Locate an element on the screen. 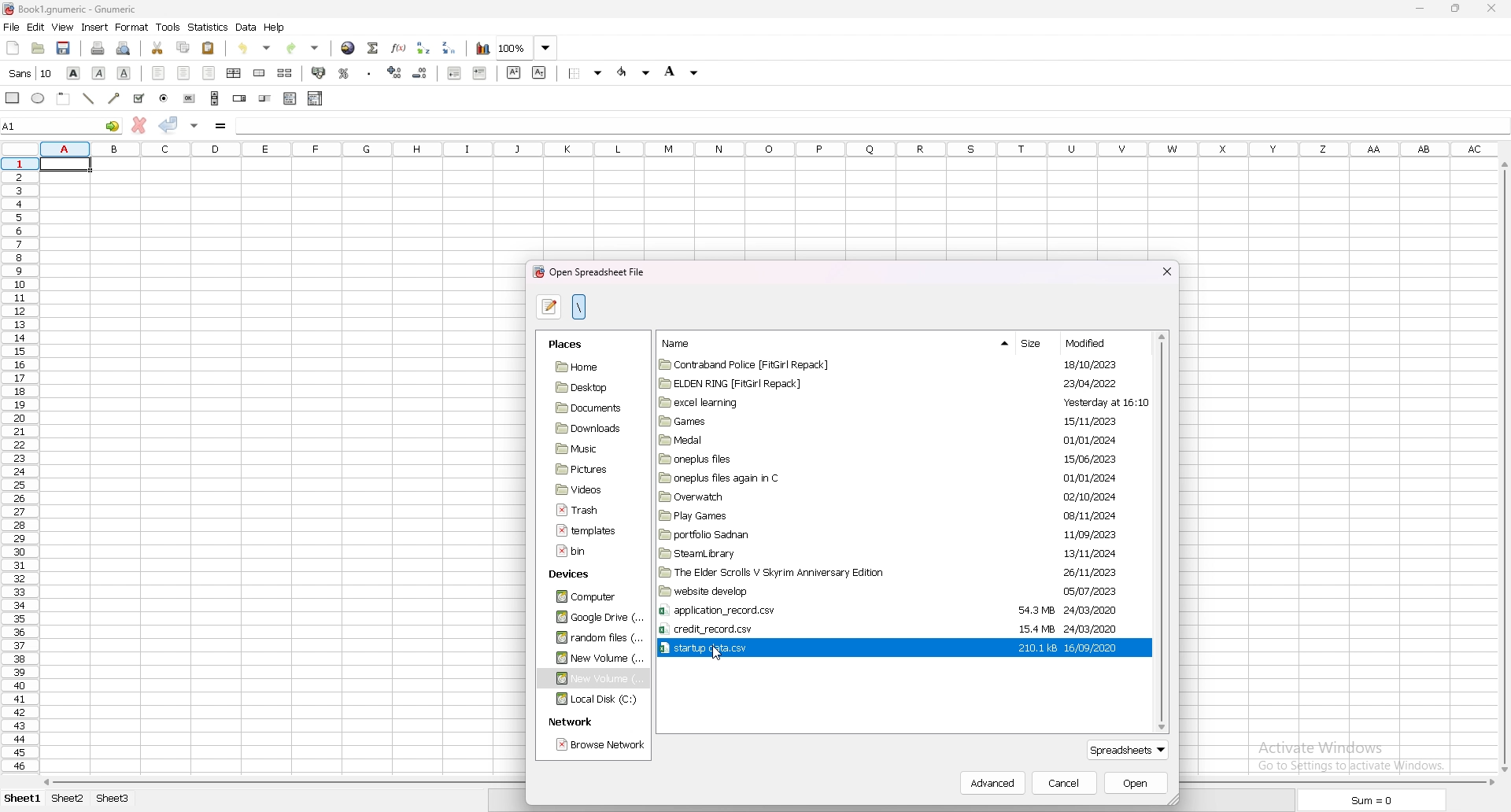 Image resolution: width=1511 pixels, height=812 pixels. places is located at coordinates (573, 343).